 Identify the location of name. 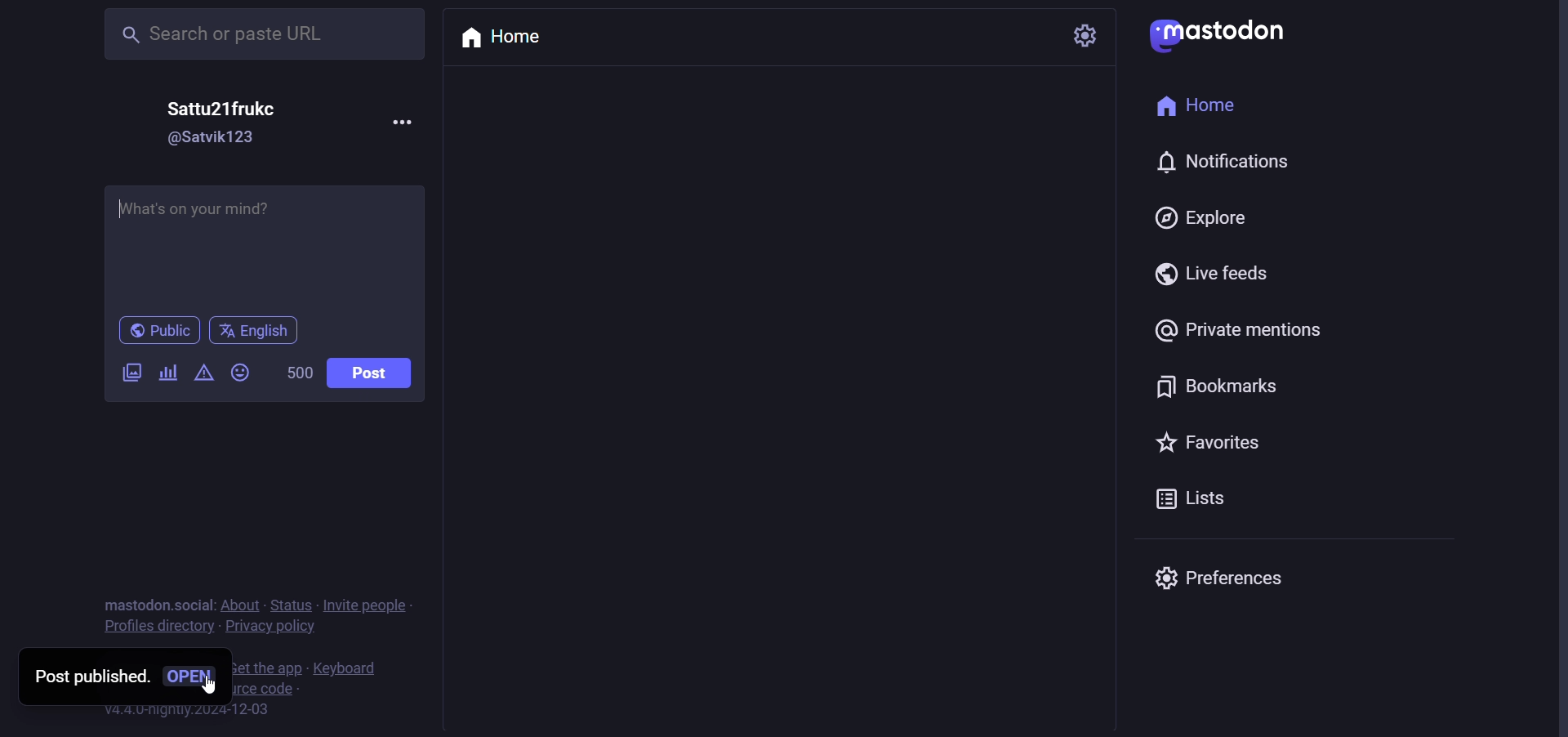
(221, 109).